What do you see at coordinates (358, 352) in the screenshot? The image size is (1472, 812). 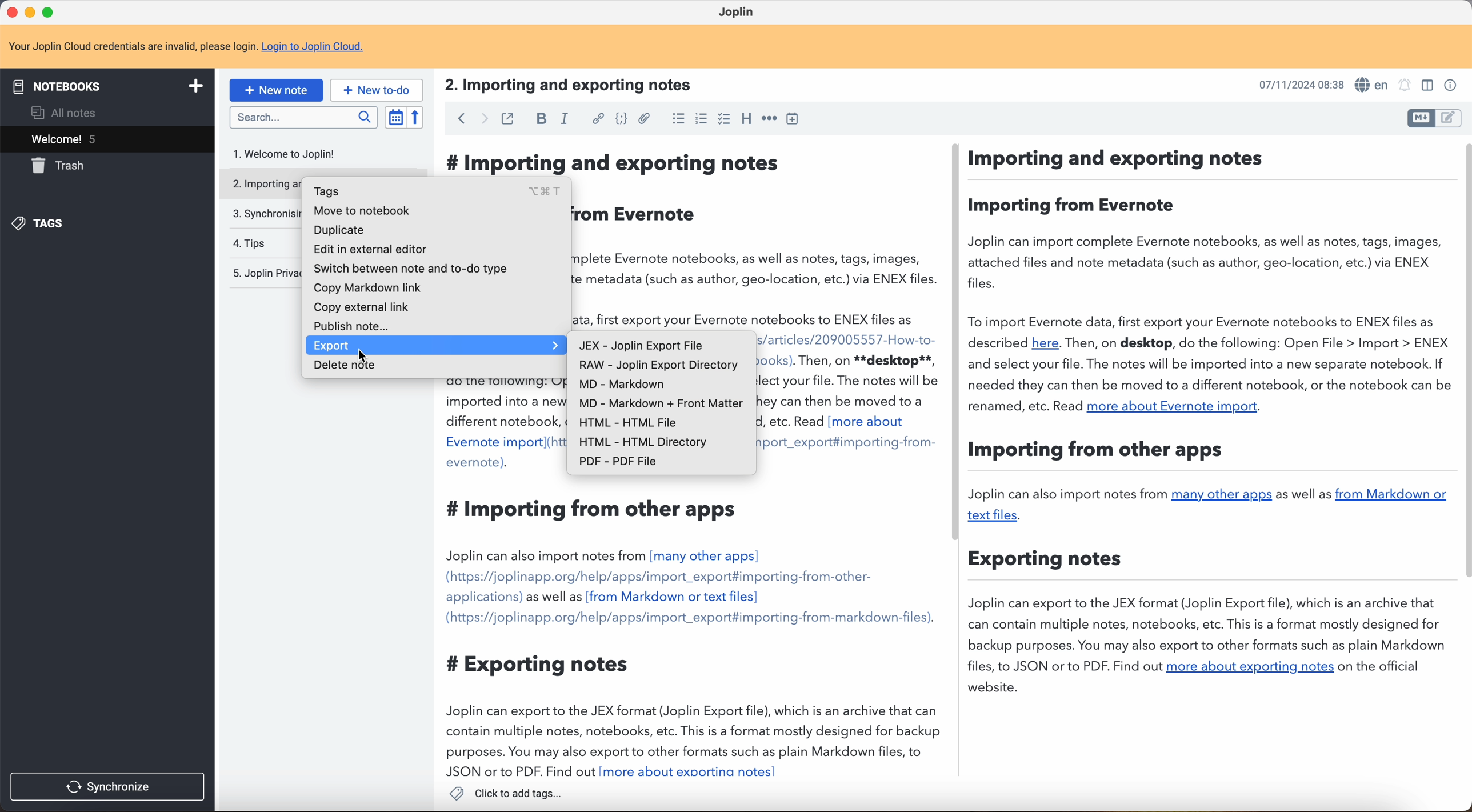 I see `cursor` at bounding box center [358, 352].